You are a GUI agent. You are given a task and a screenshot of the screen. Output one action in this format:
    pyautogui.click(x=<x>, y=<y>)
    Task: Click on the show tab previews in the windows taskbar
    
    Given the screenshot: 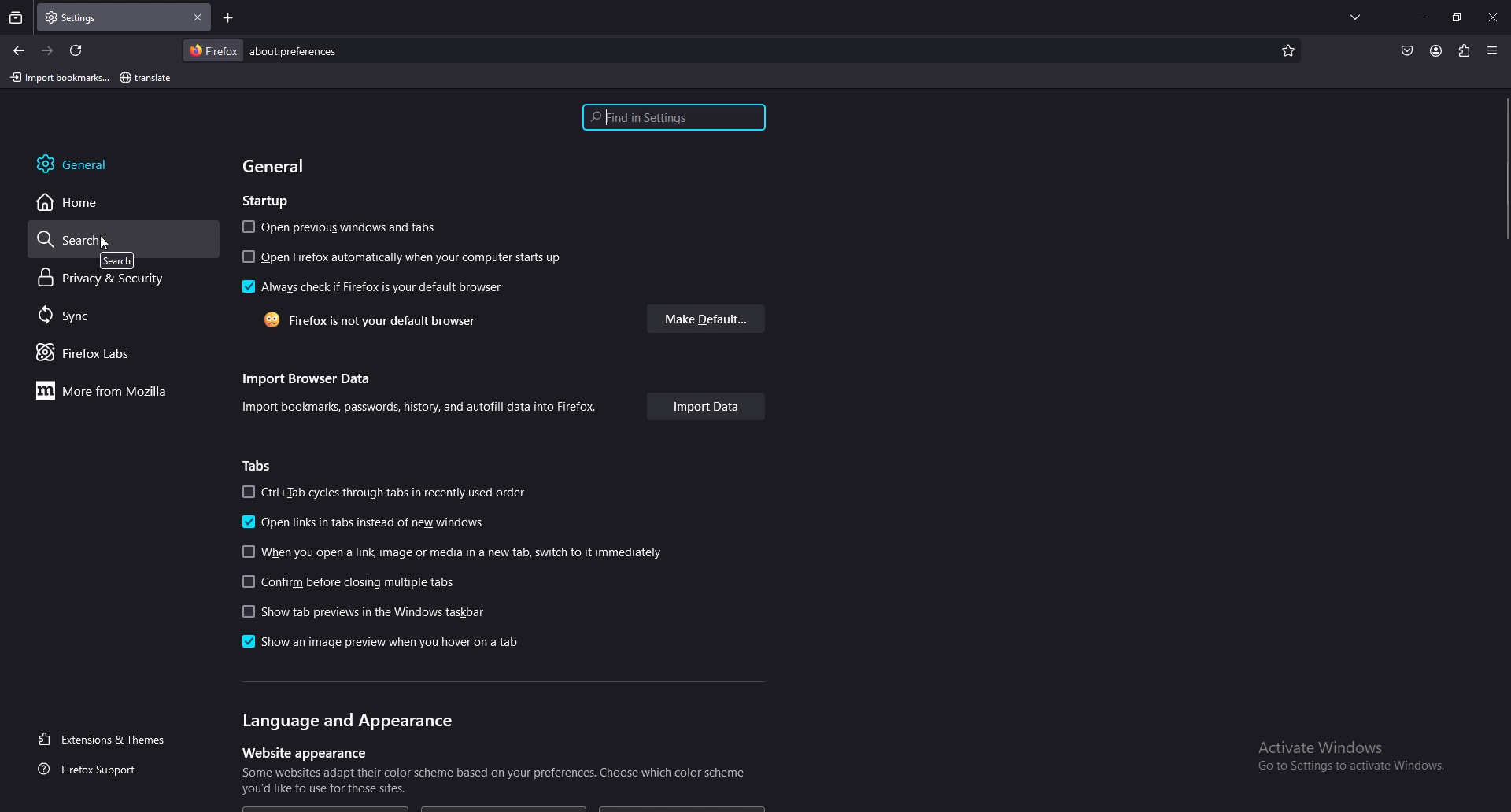 What is the action you would take?
    pyautogui.click(x=365, y=611)
    